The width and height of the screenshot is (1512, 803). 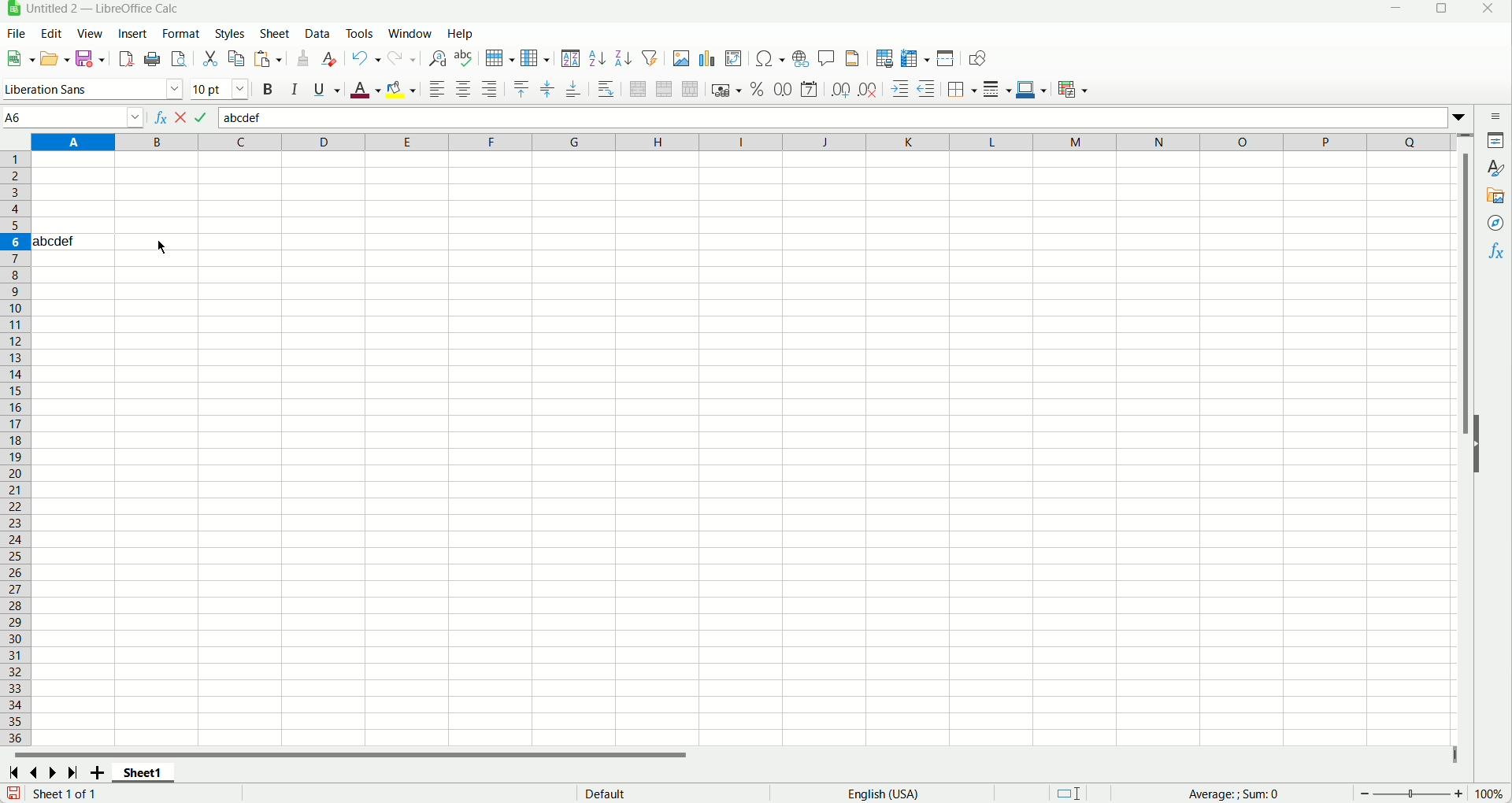 I want to click on format as currency, so click(x=728, y=88).